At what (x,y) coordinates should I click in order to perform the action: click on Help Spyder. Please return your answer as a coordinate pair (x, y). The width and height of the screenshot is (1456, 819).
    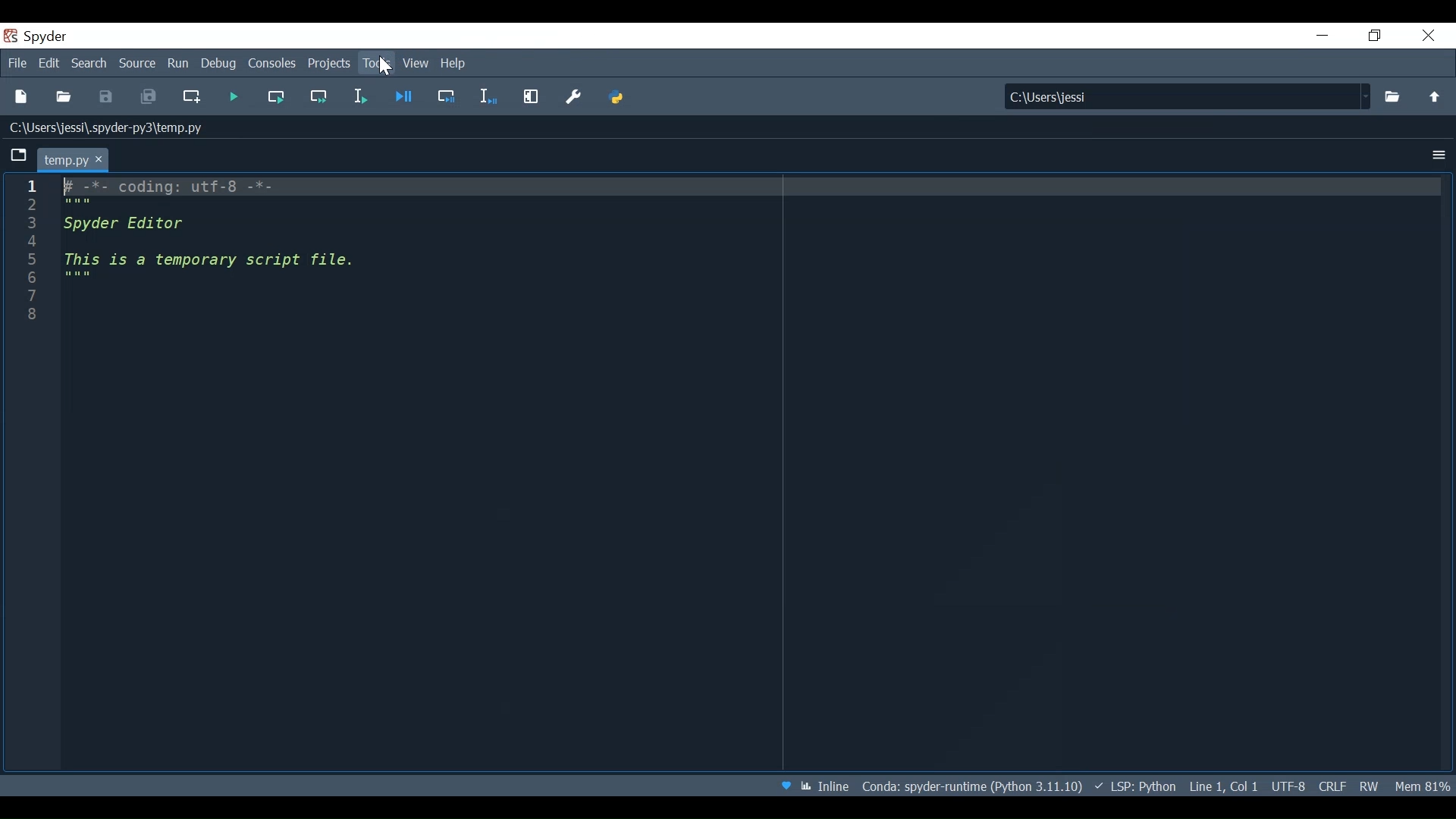
    Looking at the image, I should click on (786, 786).